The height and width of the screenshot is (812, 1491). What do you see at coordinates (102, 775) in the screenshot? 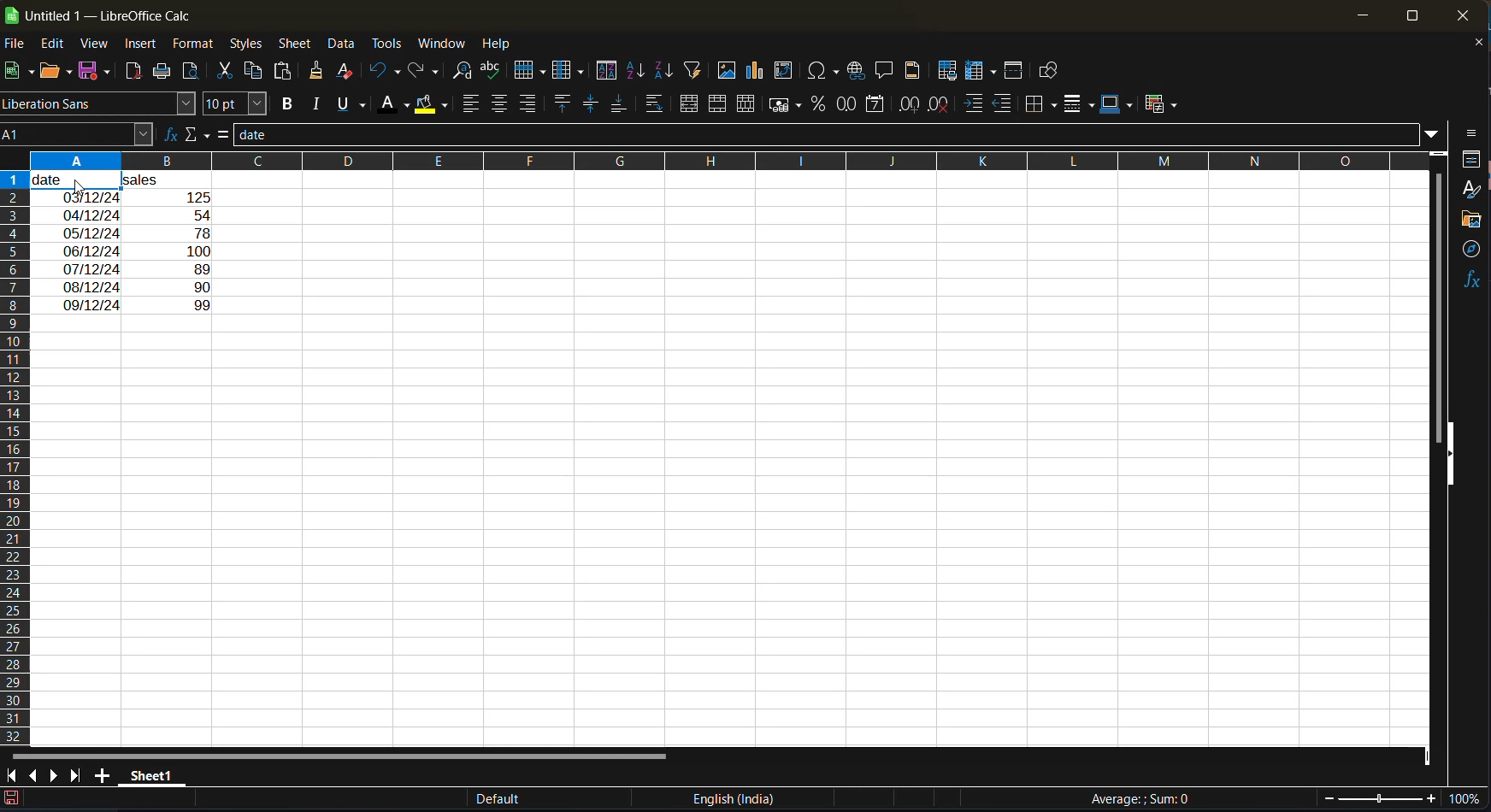
I see `add a new sheet` at bounding box center [102, 775].